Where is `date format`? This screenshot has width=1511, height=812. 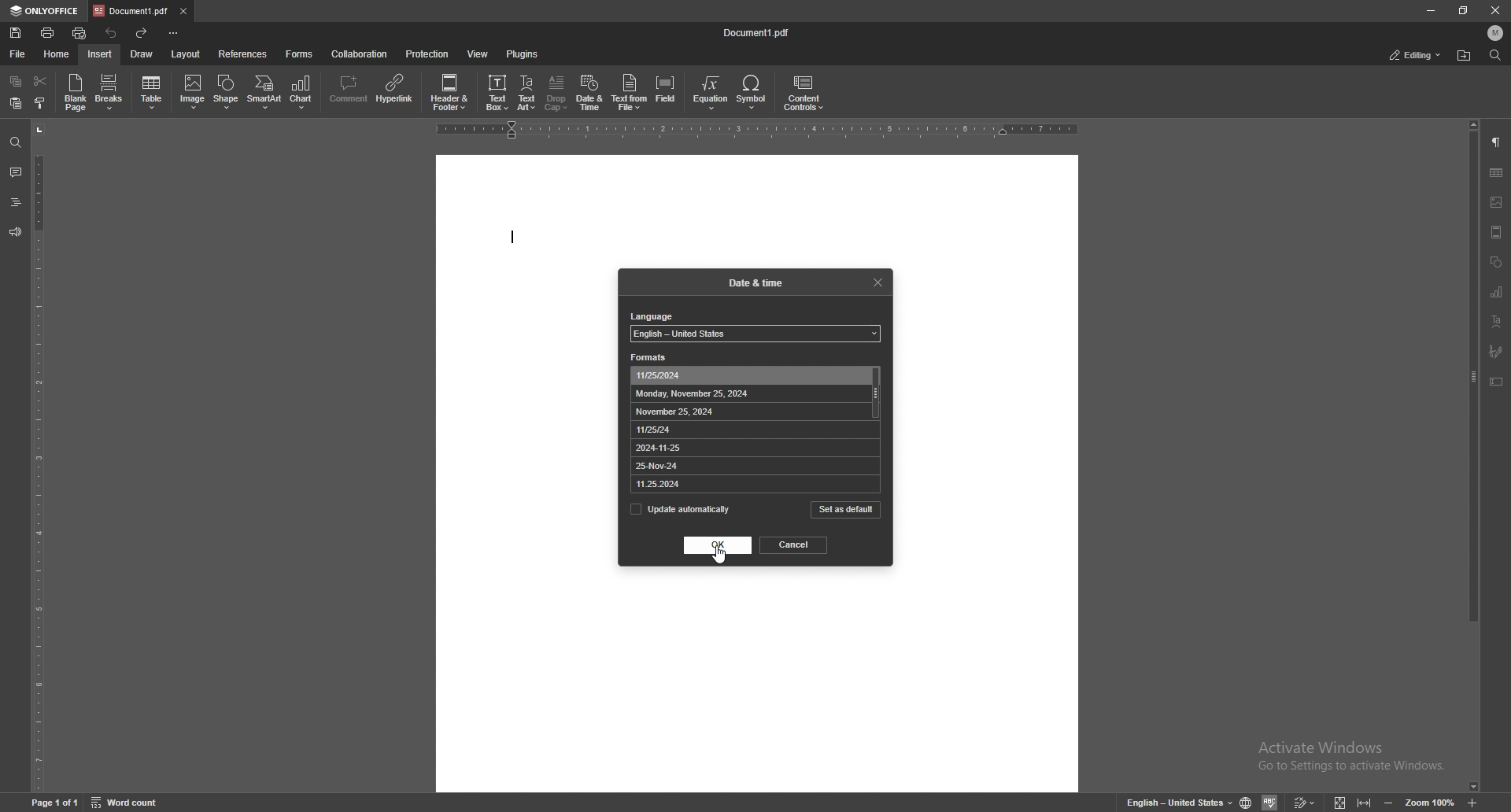
date format is located at coordinates (697, 376).